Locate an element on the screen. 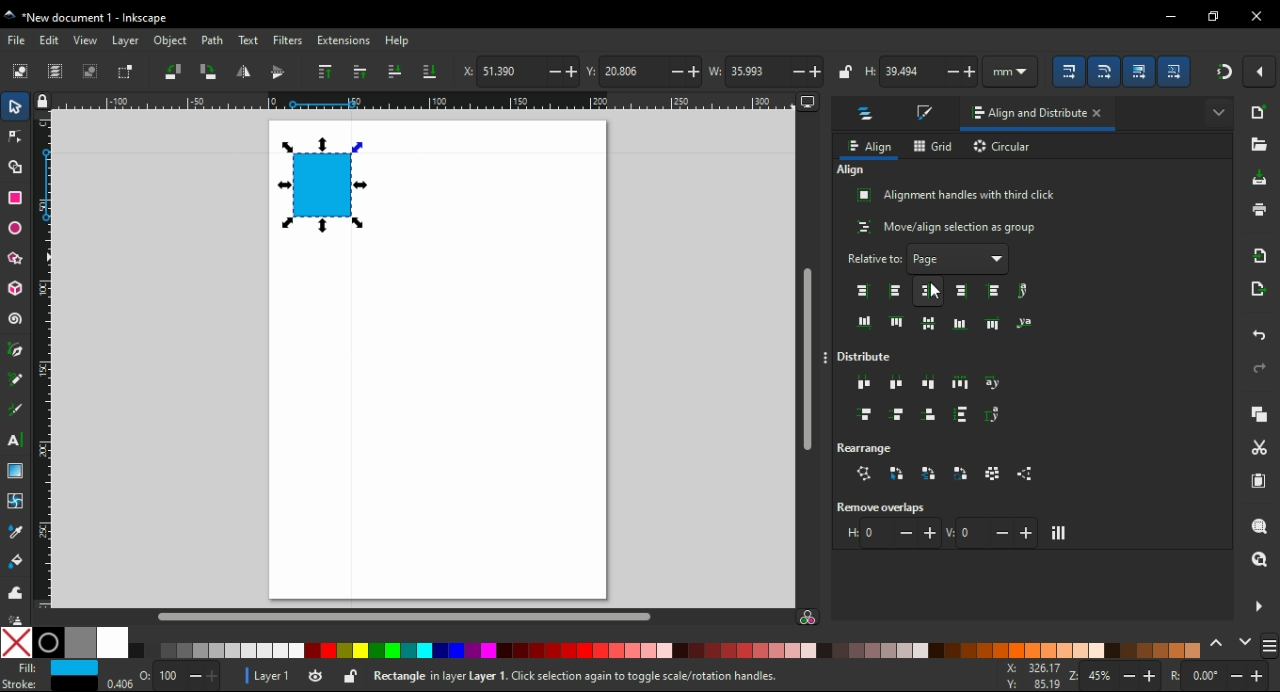  distribute vertically with even spacing between top edges is located at coordinates (865, 416).